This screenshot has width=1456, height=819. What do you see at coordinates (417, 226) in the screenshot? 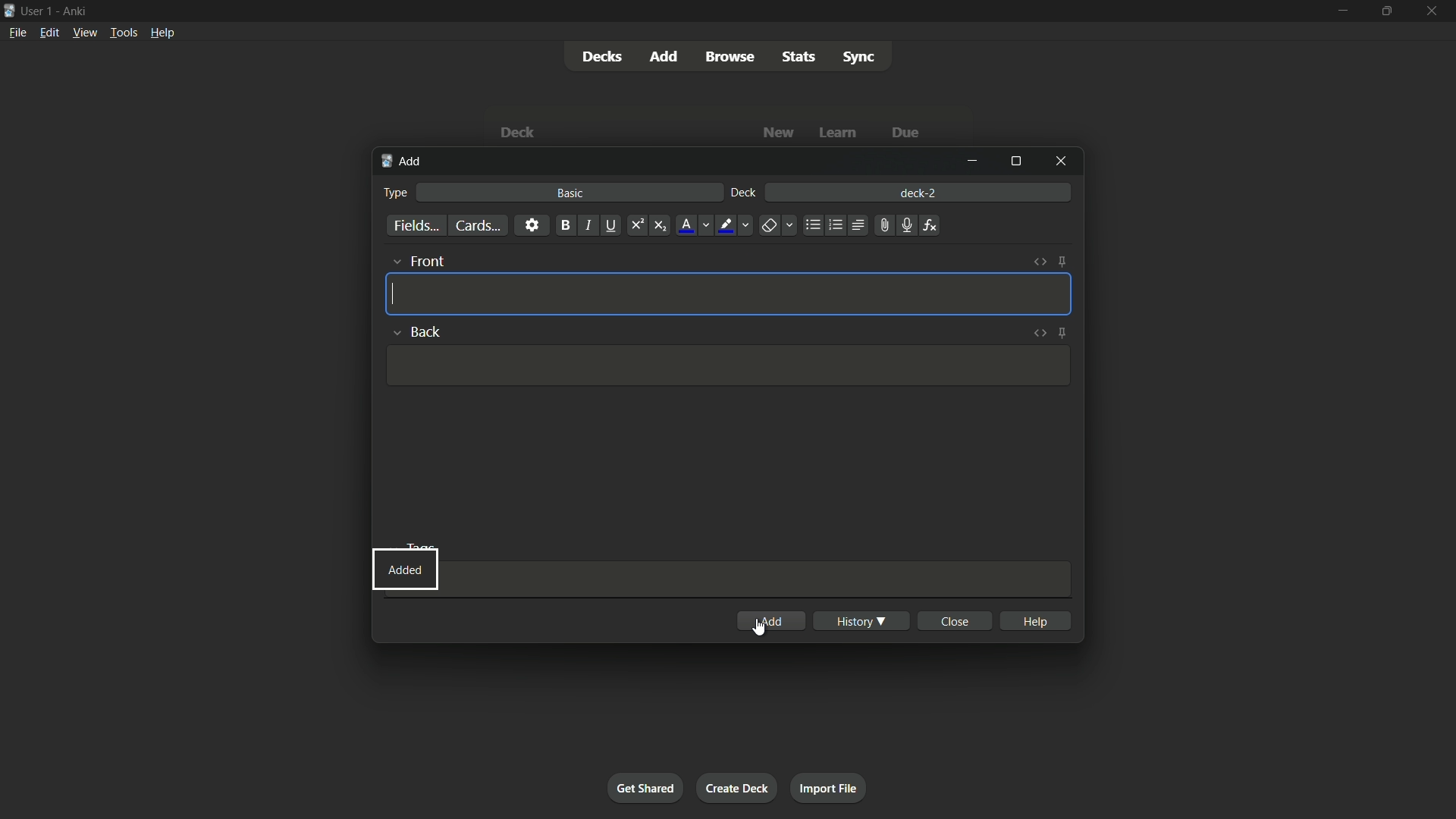
I see `fields` at bounding box center [417, 226].